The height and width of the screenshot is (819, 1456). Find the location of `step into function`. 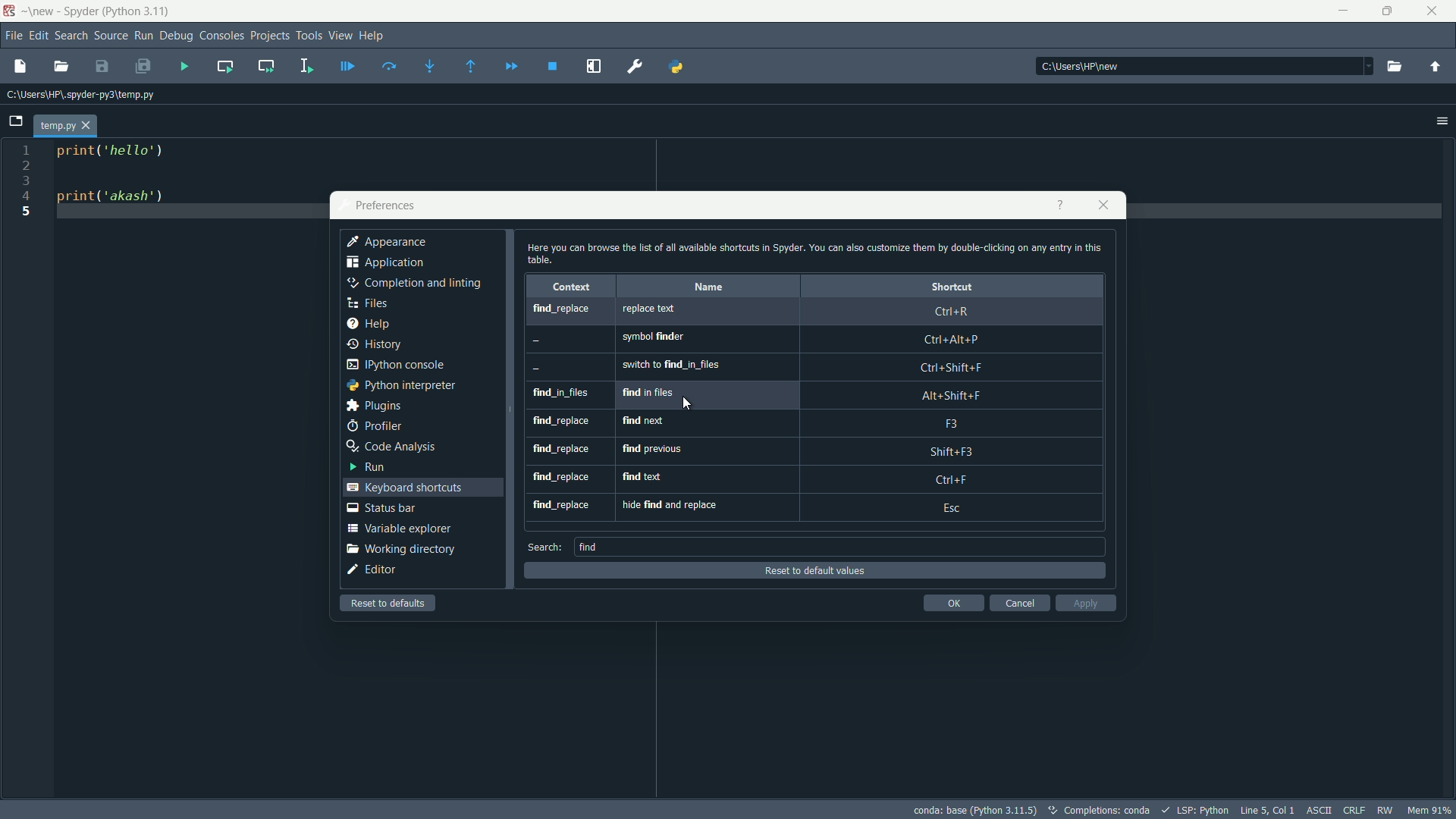

step into function is located at coordinates (431, 67).